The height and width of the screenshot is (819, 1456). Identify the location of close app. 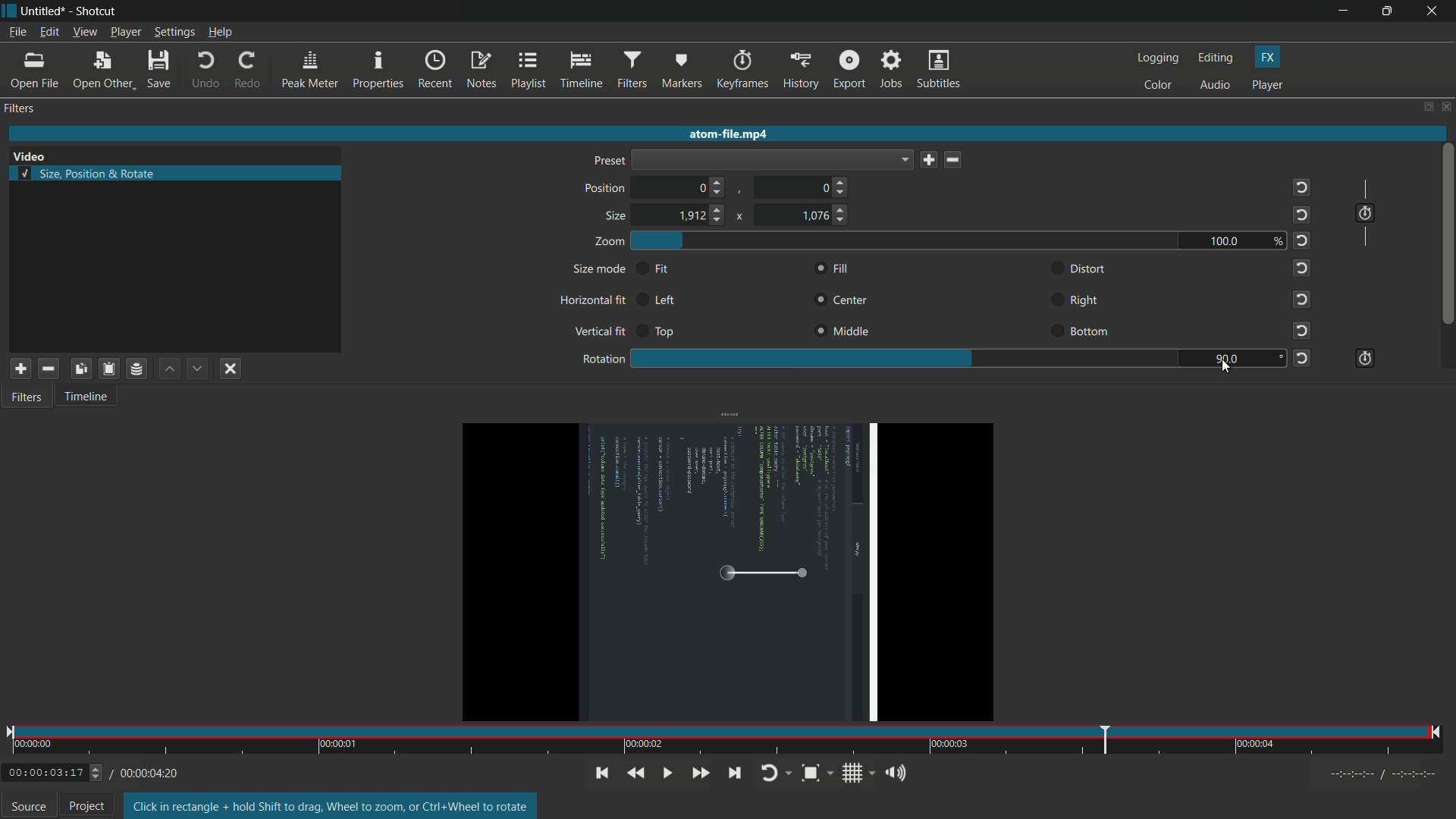
(1436, 11).